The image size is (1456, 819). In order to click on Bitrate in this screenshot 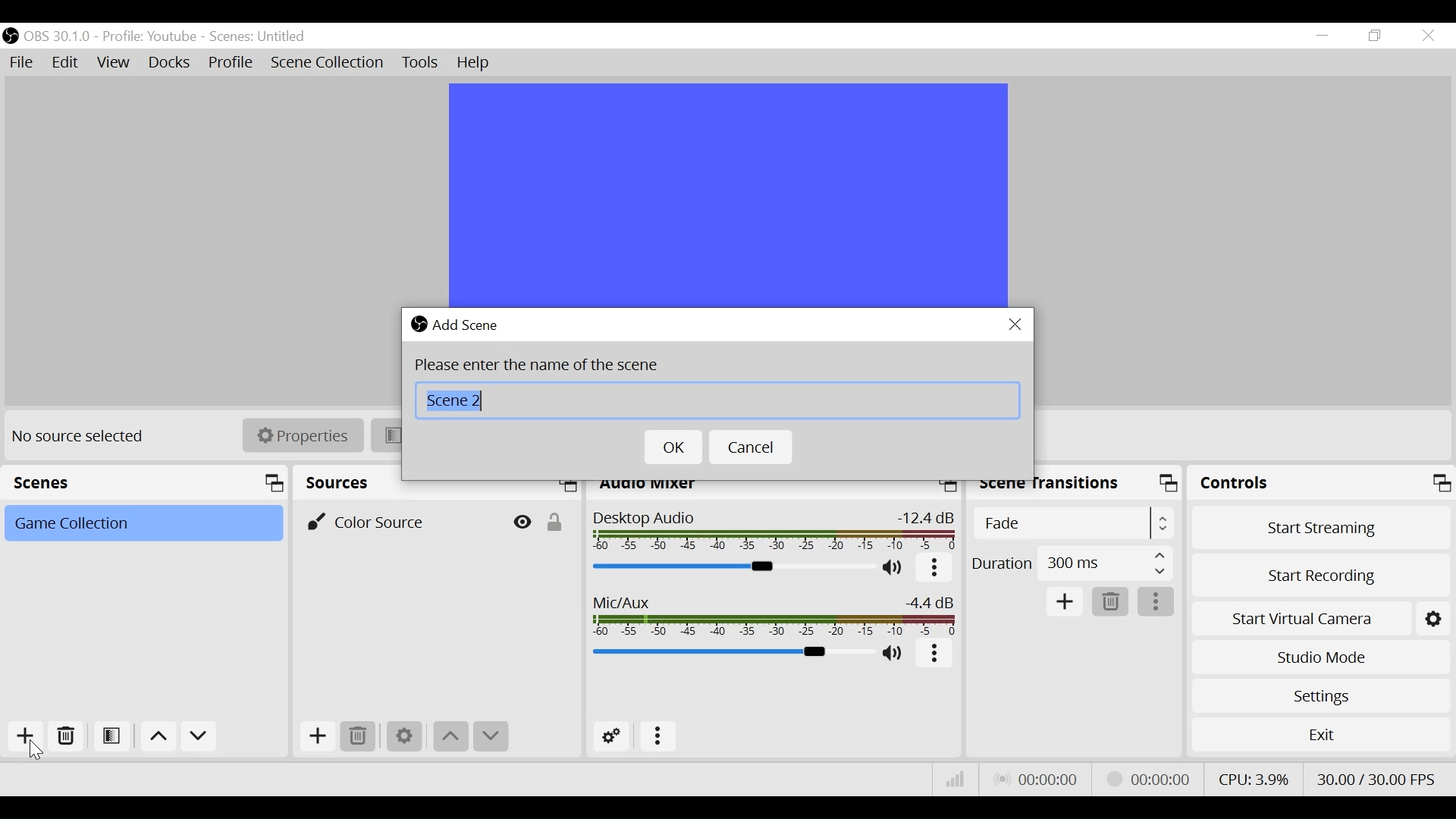, I will do `click(954, 778)`.